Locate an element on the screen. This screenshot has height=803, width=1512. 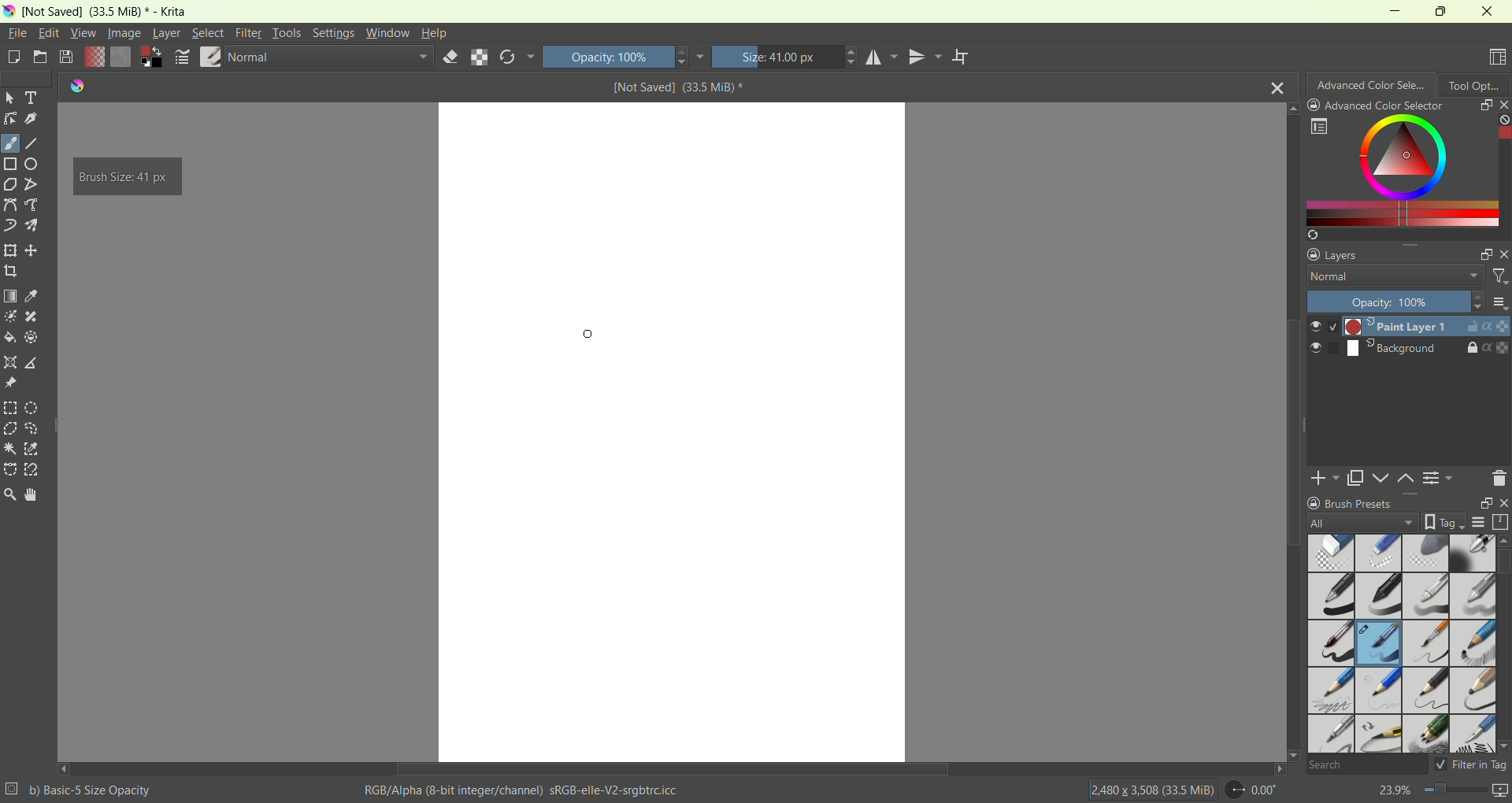
pencil 3 large 4 b is located at coordinates (1472, 688).